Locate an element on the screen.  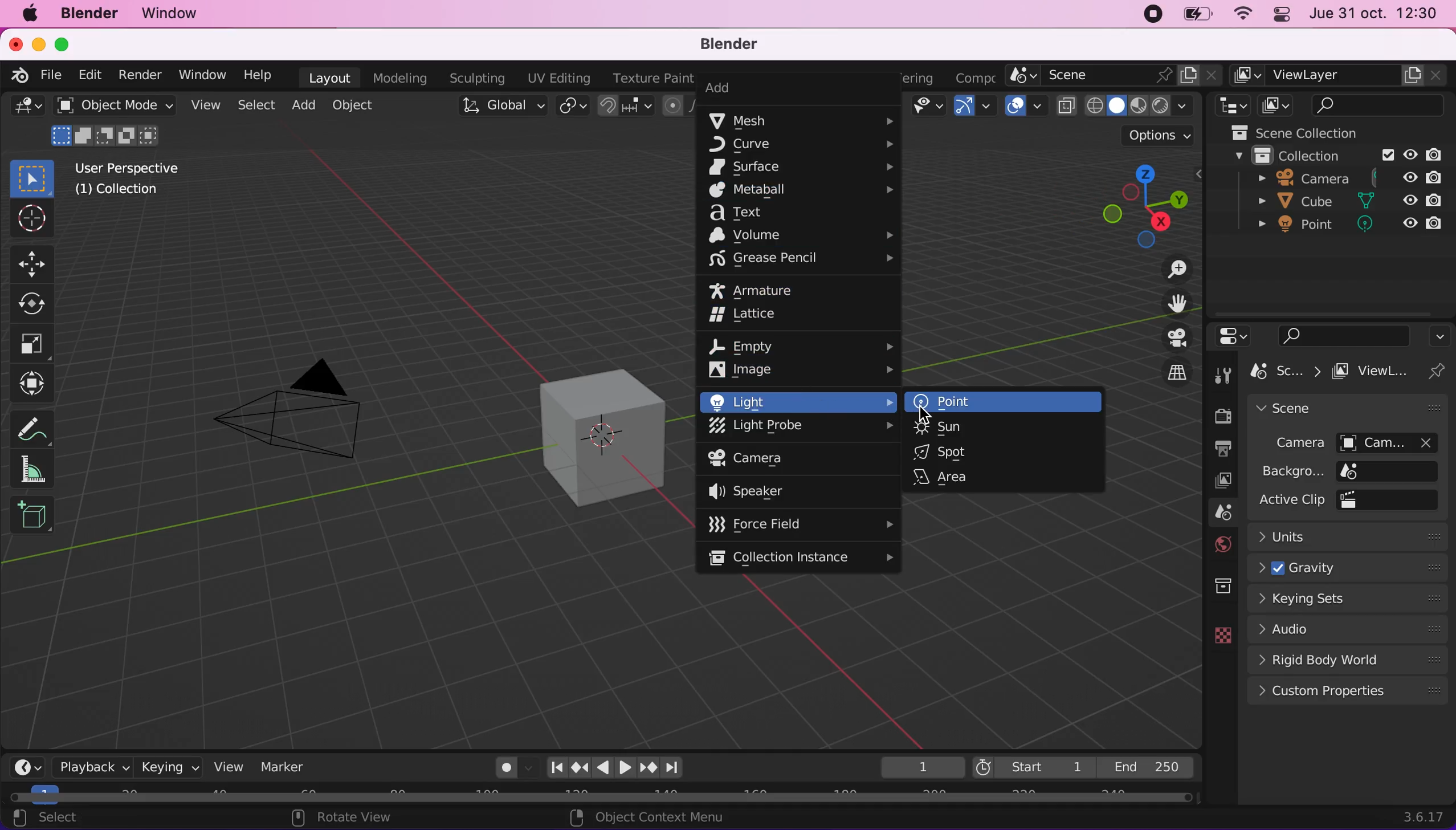
text is located at coordinates (789, 213).